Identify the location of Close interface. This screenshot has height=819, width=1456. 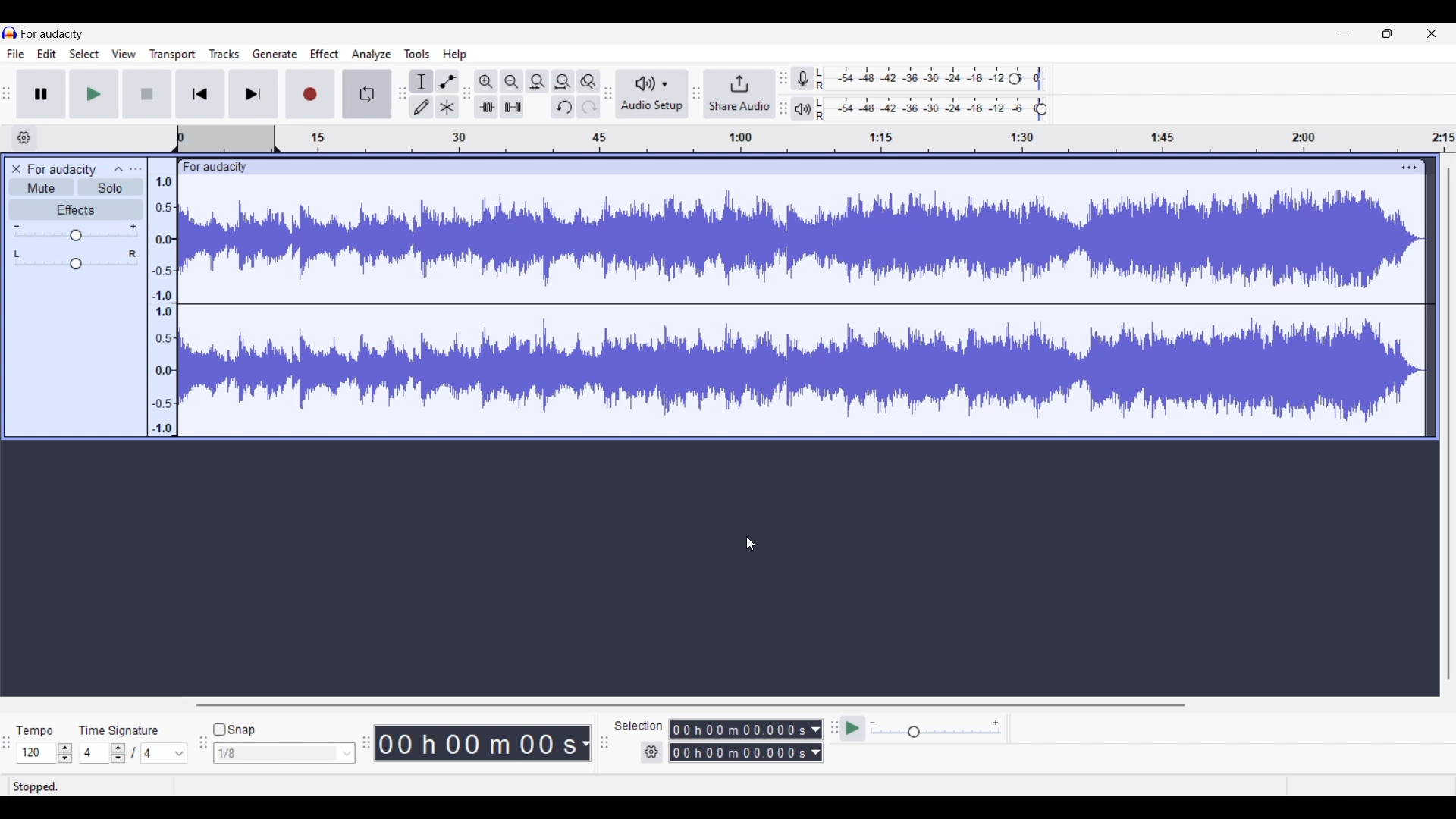
(1432, 33).